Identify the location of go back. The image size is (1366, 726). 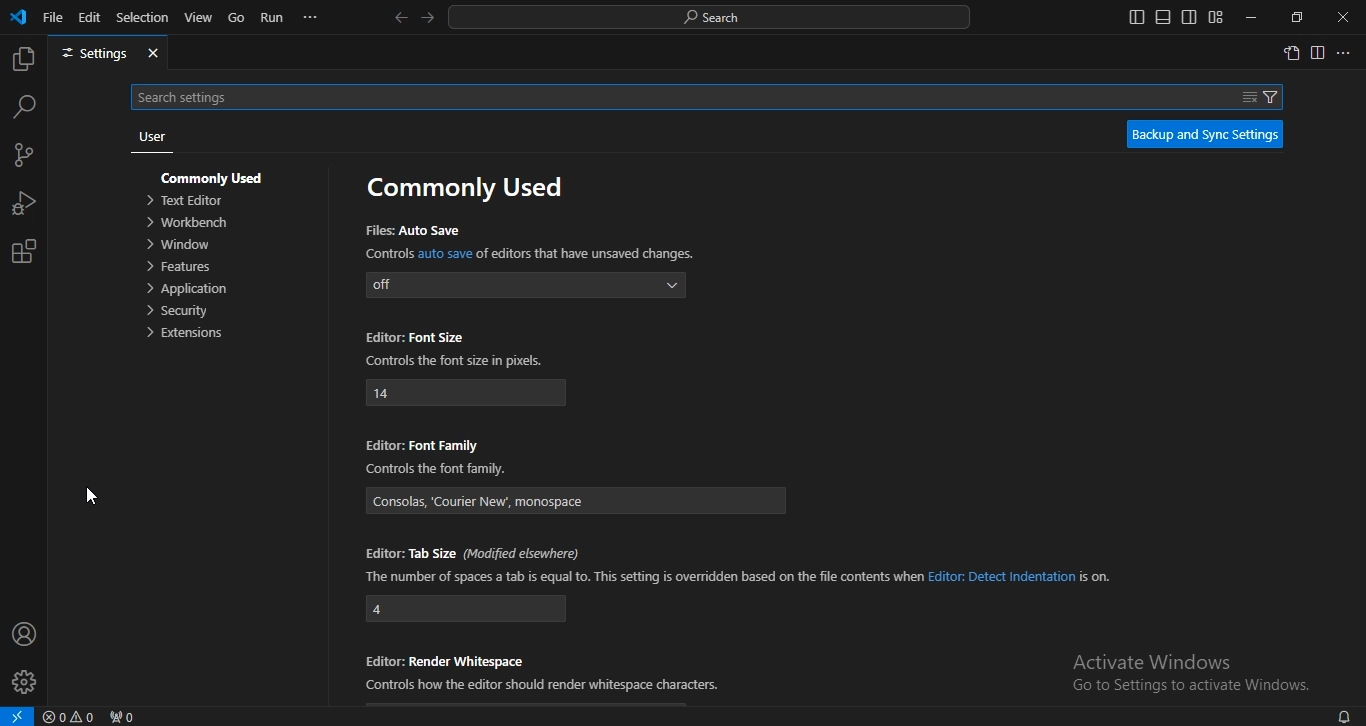
(400, 18).